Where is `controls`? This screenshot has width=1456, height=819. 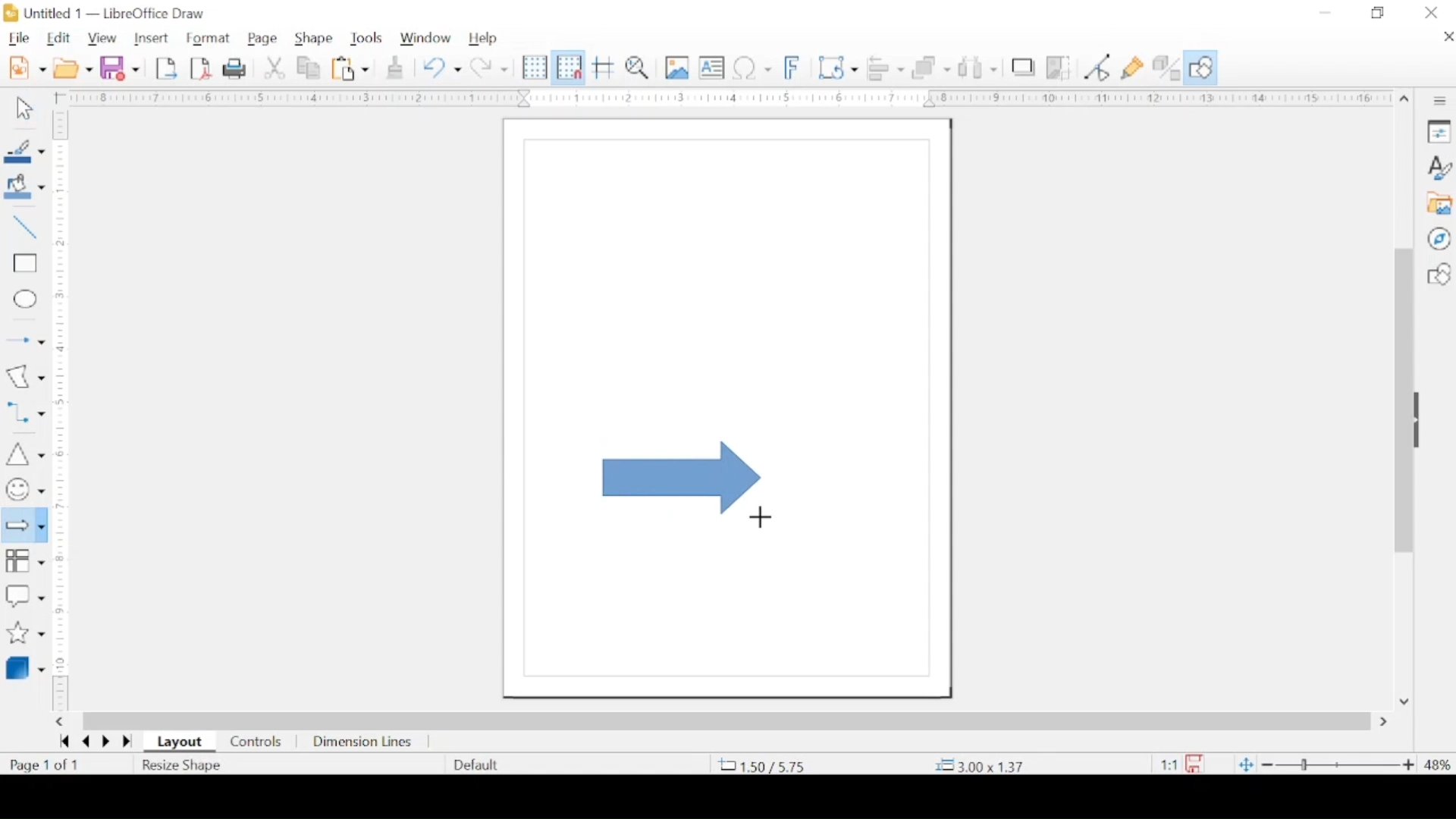 controls is located at coordinates (257, 742).